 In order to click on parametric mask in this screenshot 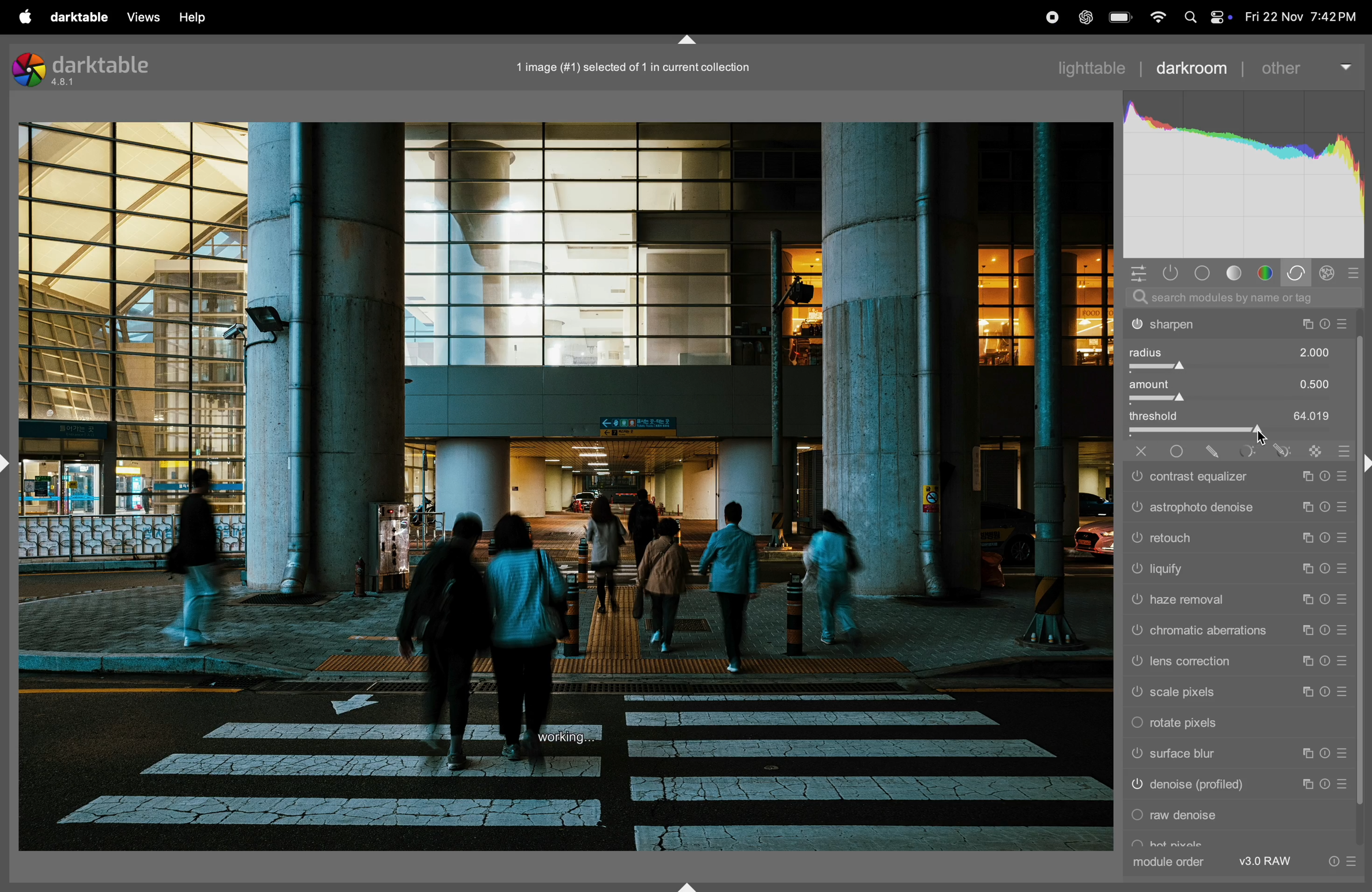, I will do `click(1242, 449)`.